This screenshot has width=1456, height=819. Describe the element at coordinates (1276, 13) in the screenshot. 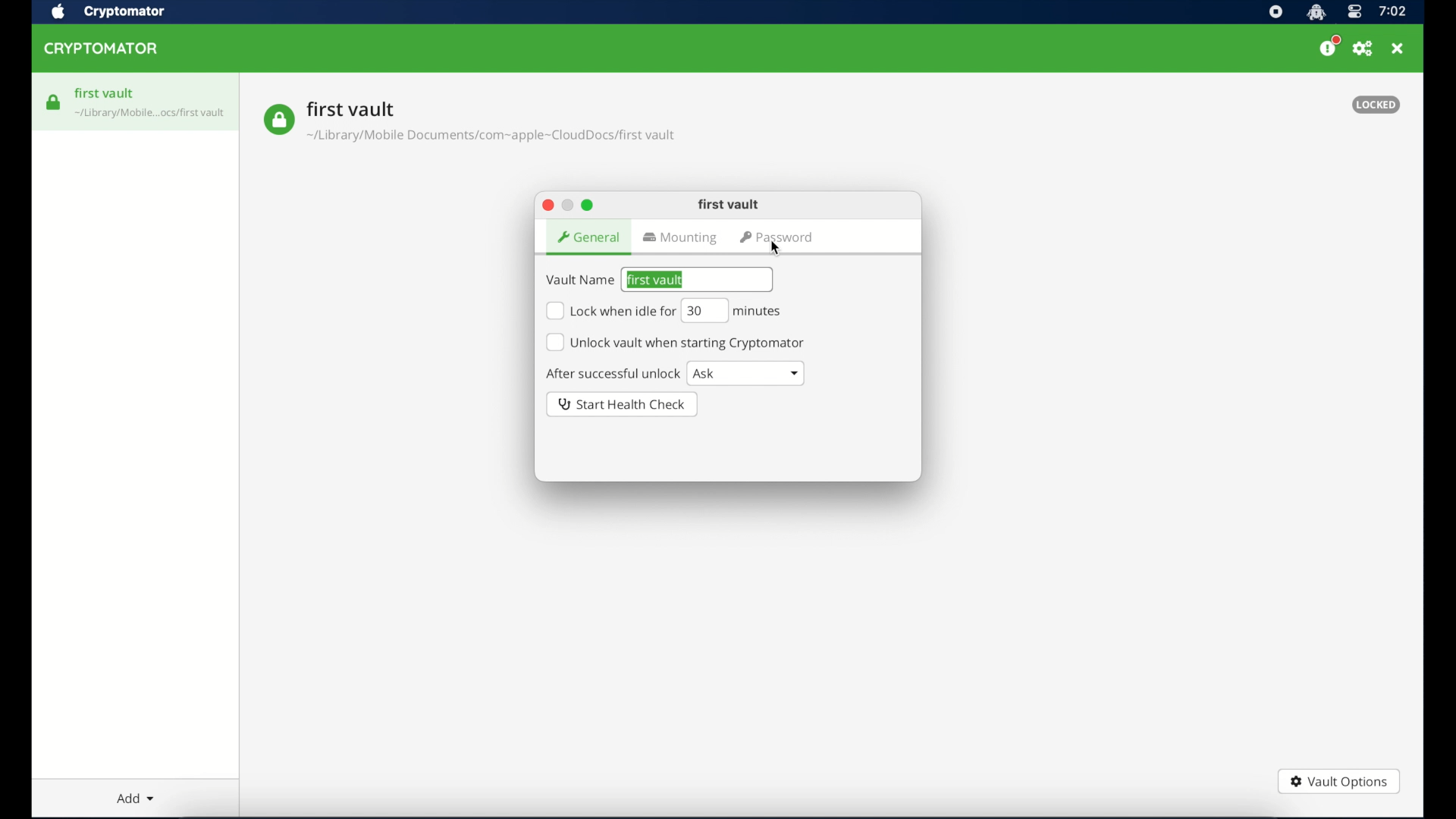

I see `screen recorder icon` at that location.